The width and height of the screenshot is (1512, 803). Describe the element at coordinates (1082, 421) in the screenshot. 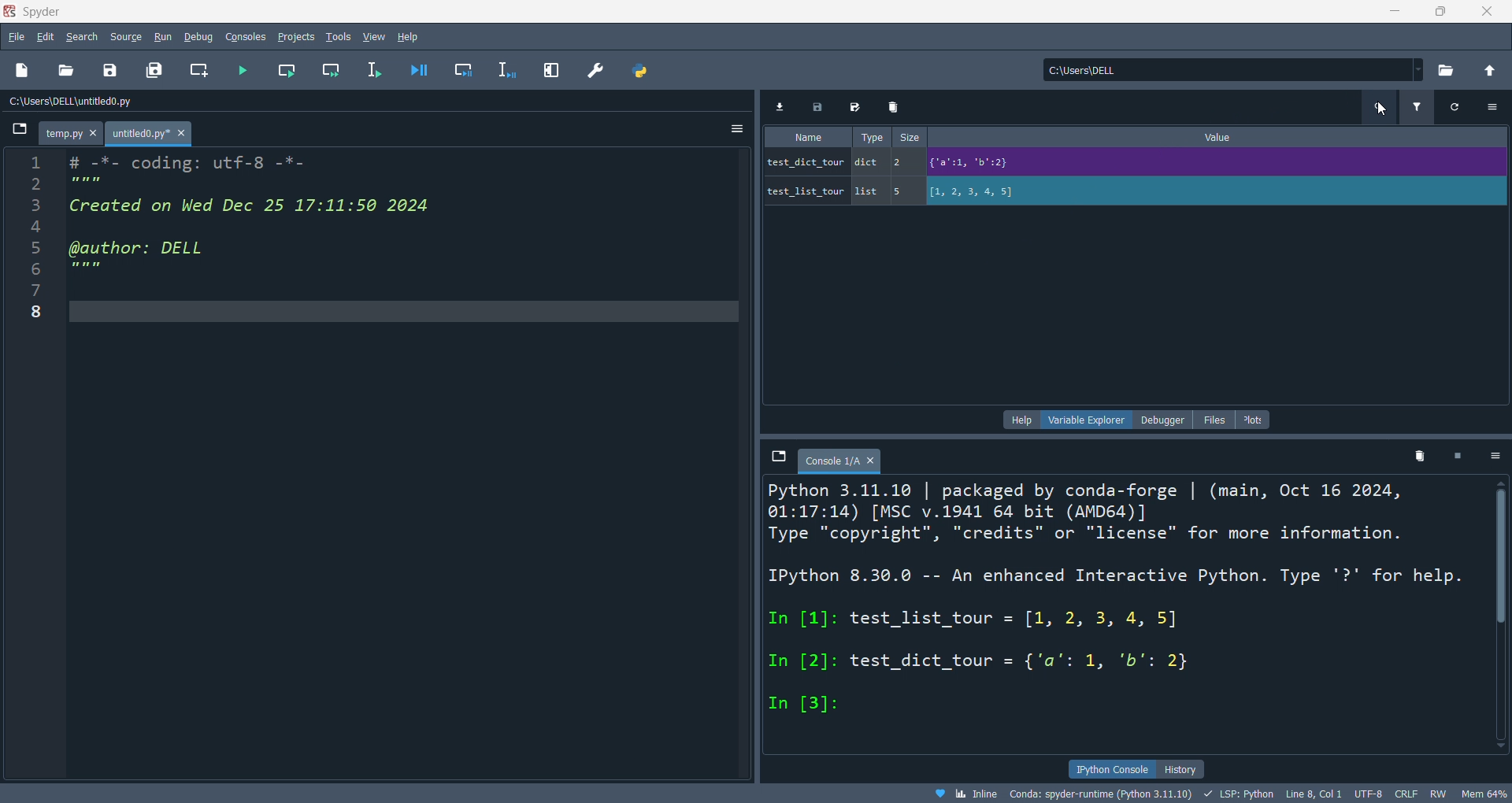

I see `variable explorer` at that location.